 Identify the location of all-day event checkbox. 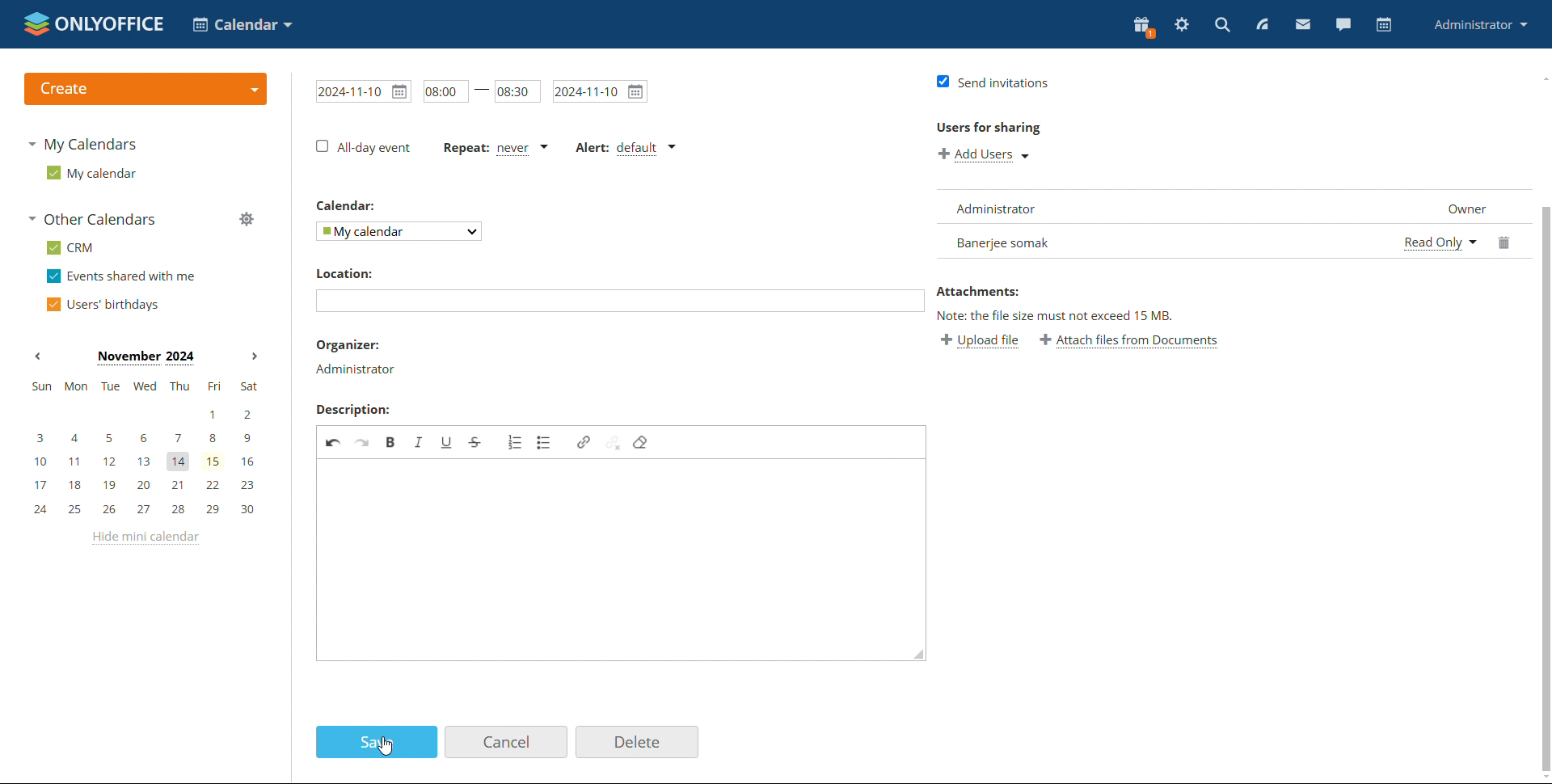
(363, 147).